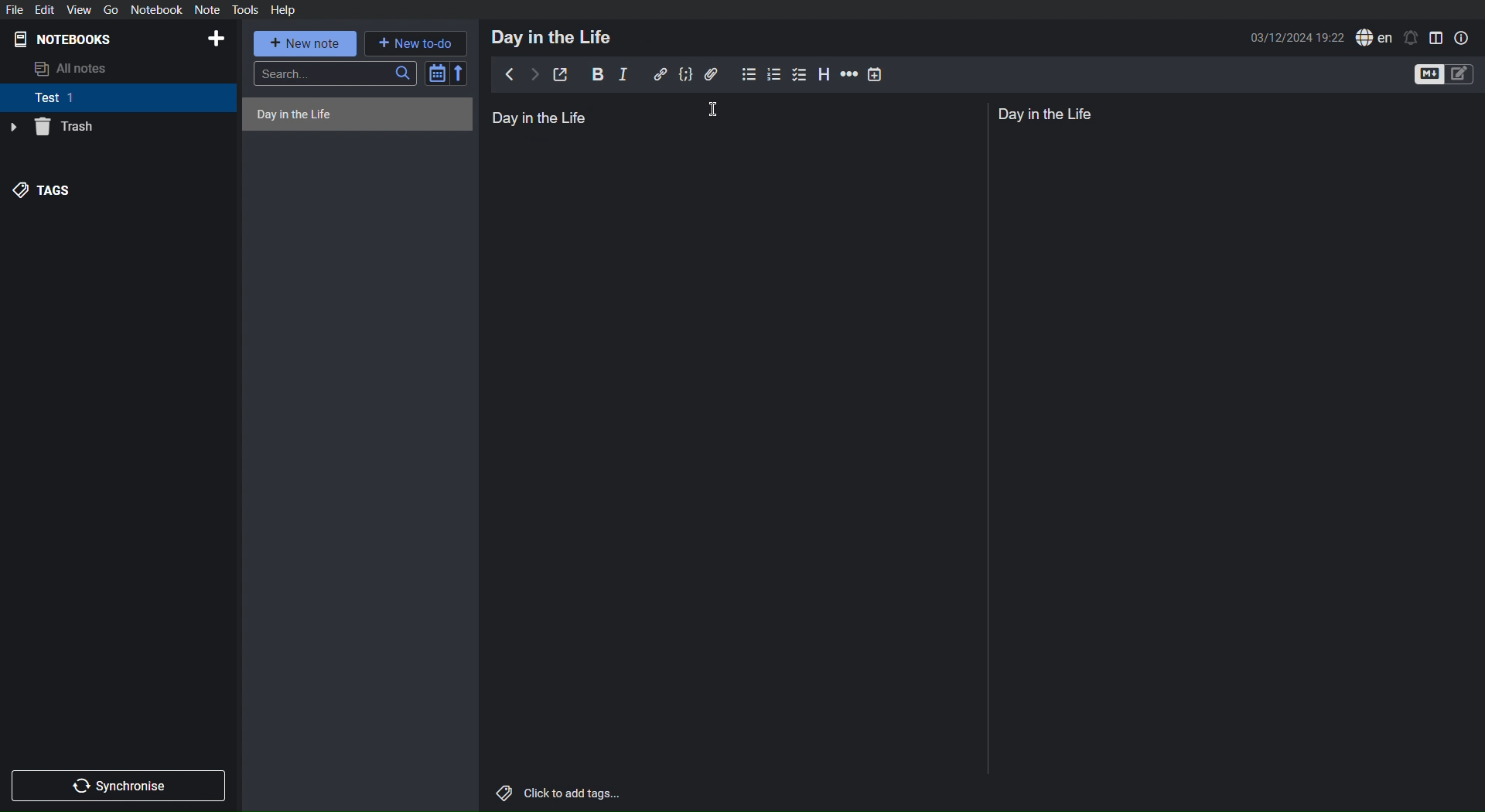 The image size is (1485, 812). I want to click on Checklist, so click(800, 75).